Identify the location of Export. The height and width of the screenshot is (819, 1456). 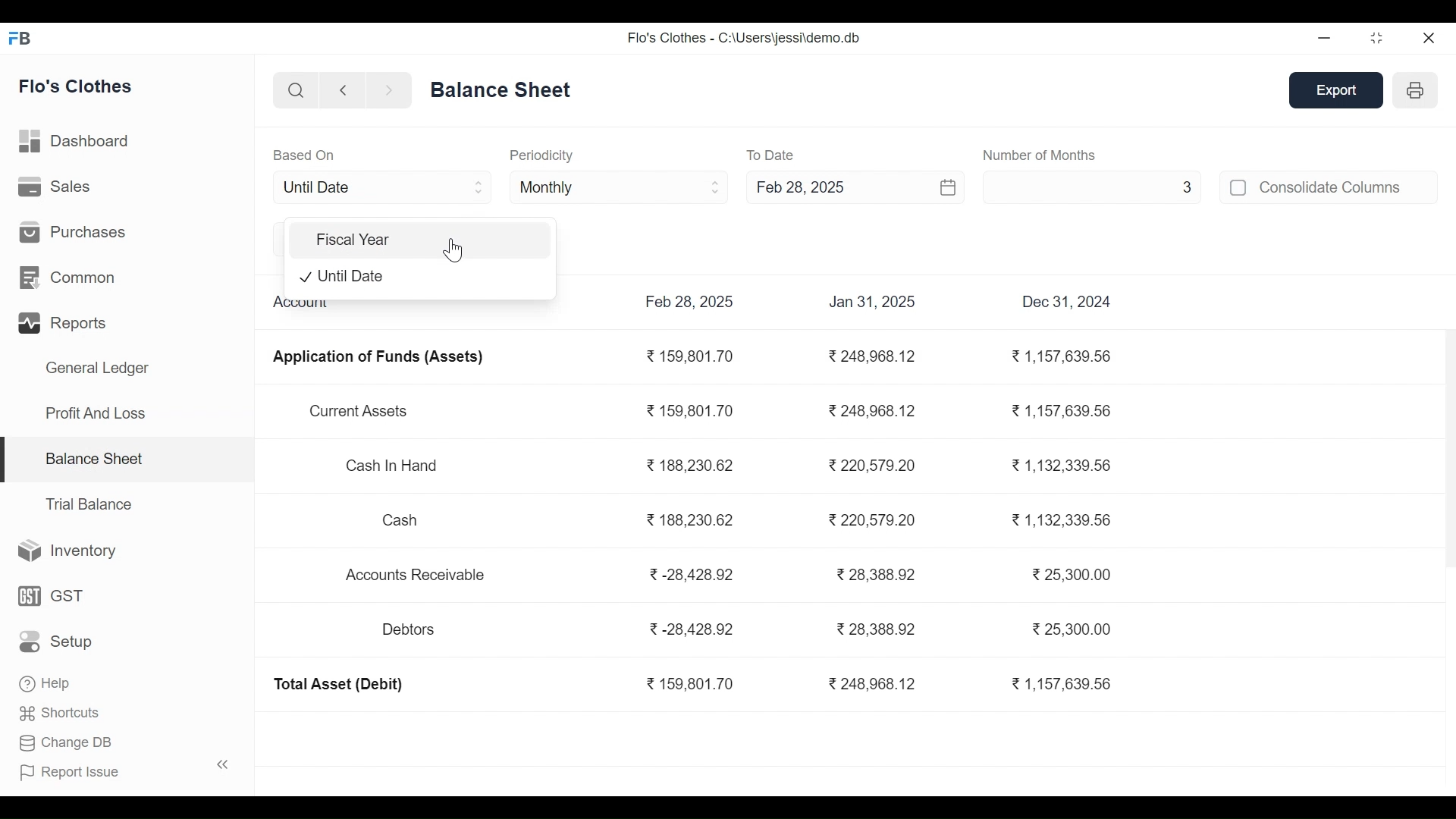
(1338, 91).